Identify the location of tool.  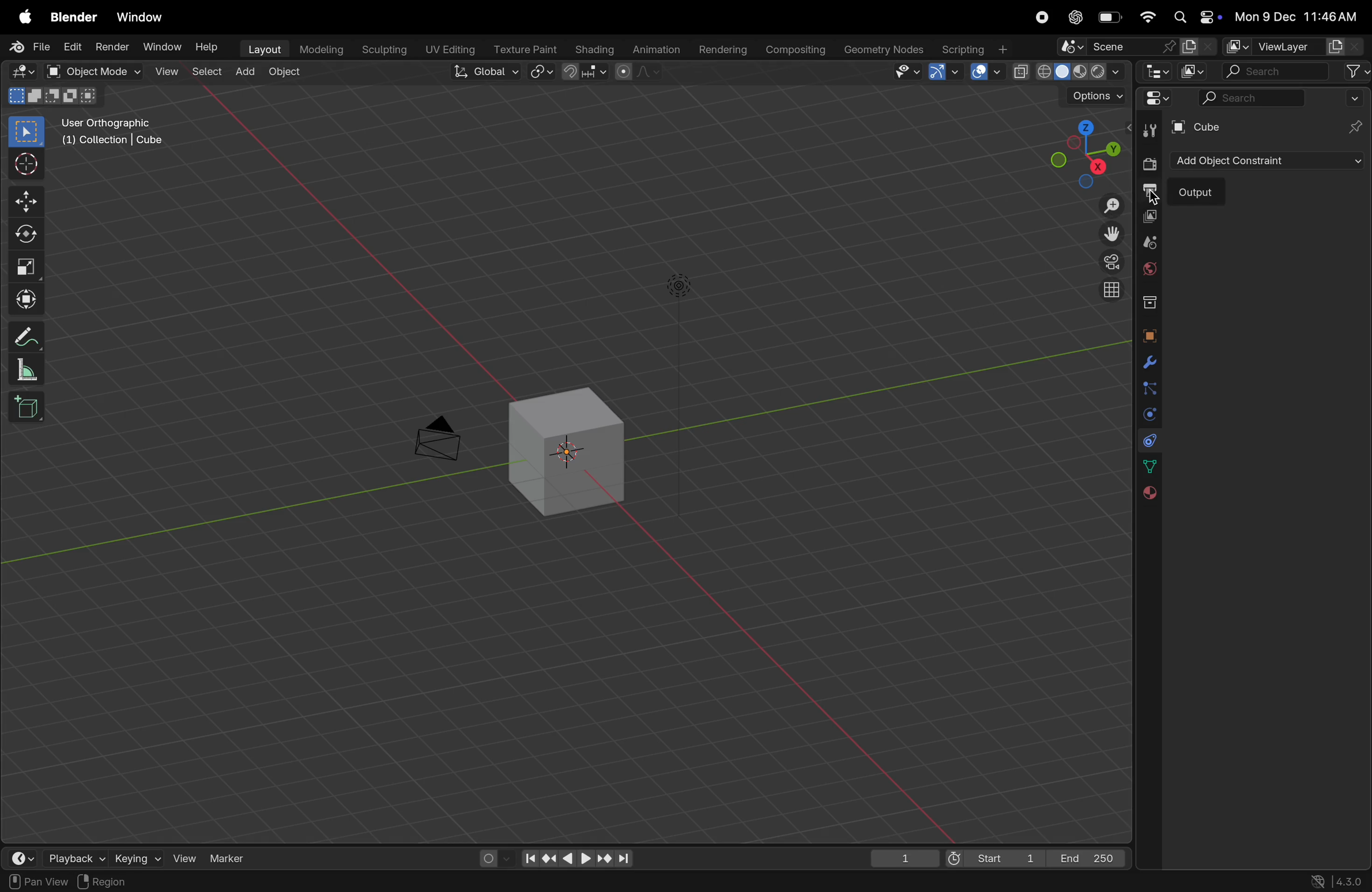
(1150, 131).